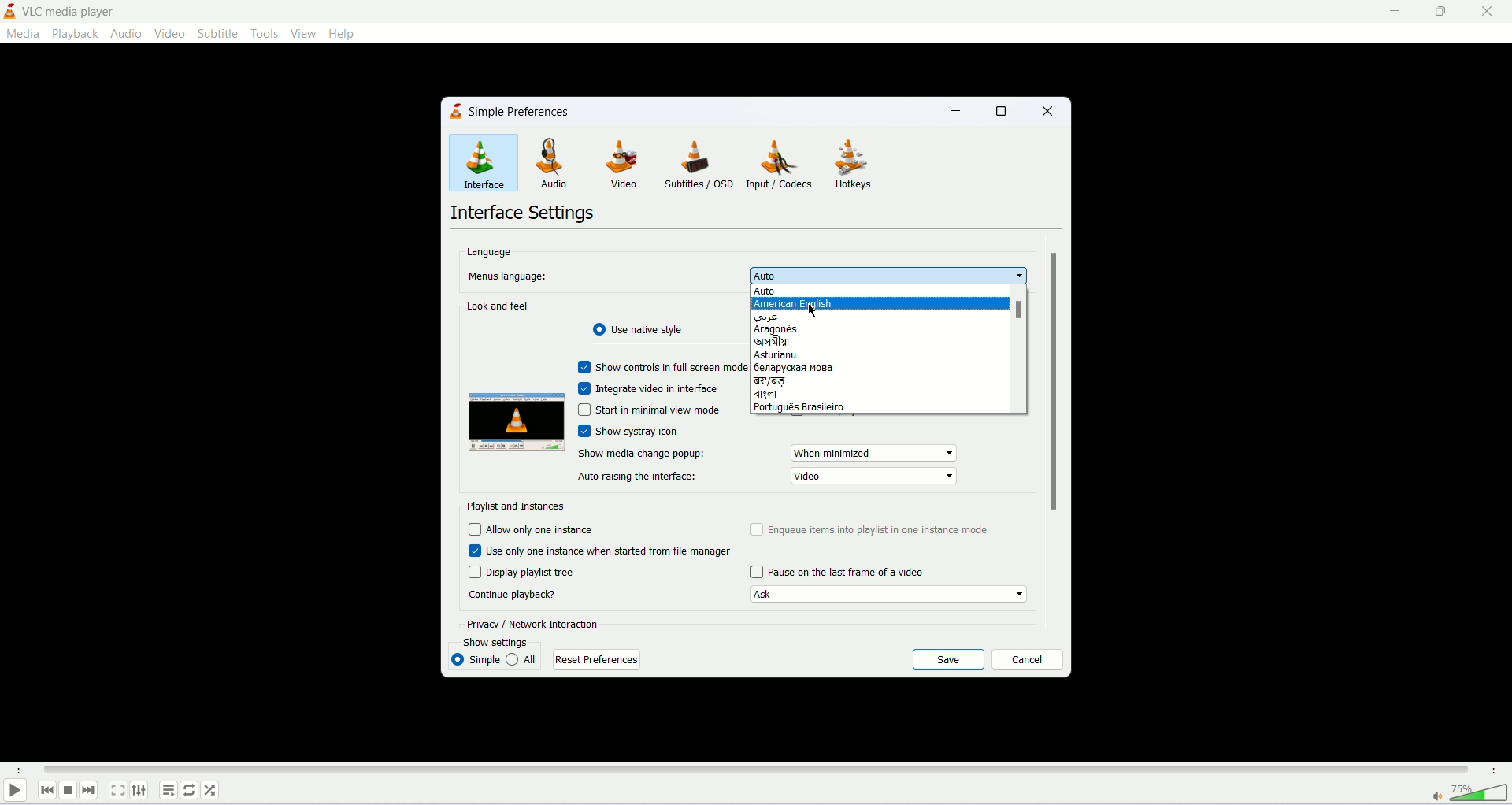  Describe the element at coordinates (211, 791) in the screenshot. I see `random` at that location.